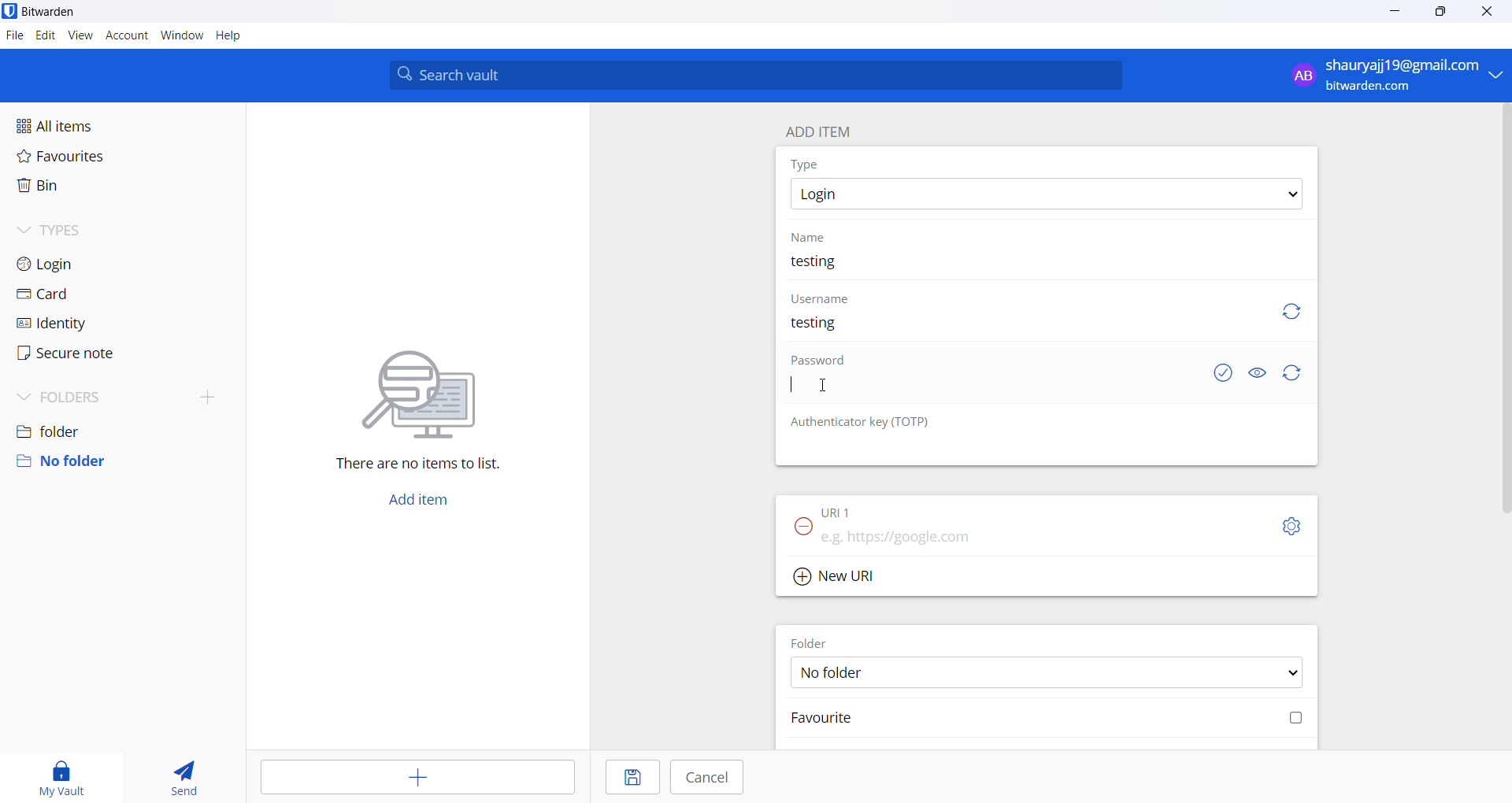  Describe the element at coordinates (819, 128) in the screenshot. I see `add item heading` at that location.